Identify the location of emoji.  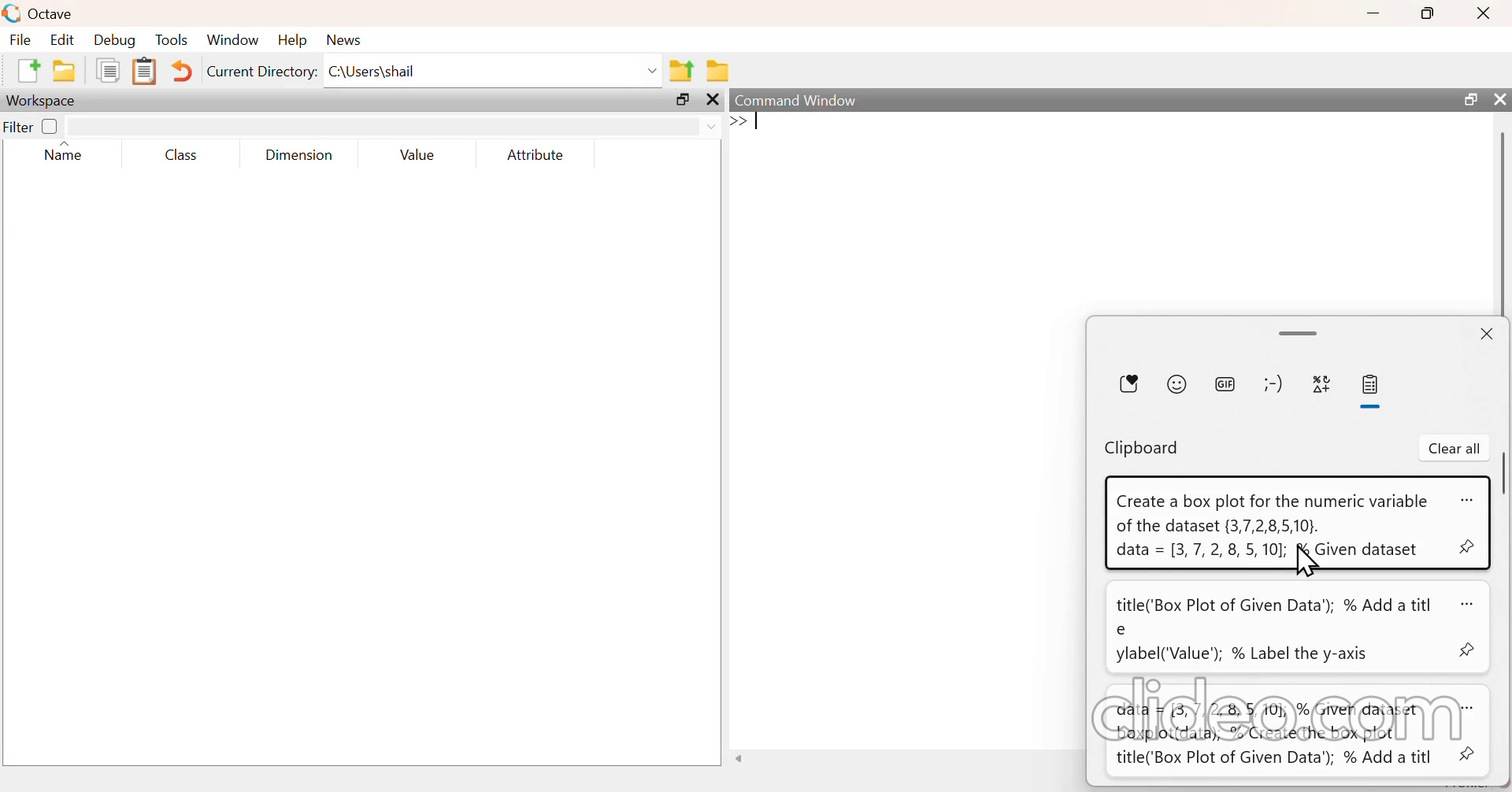
(1179, 383).